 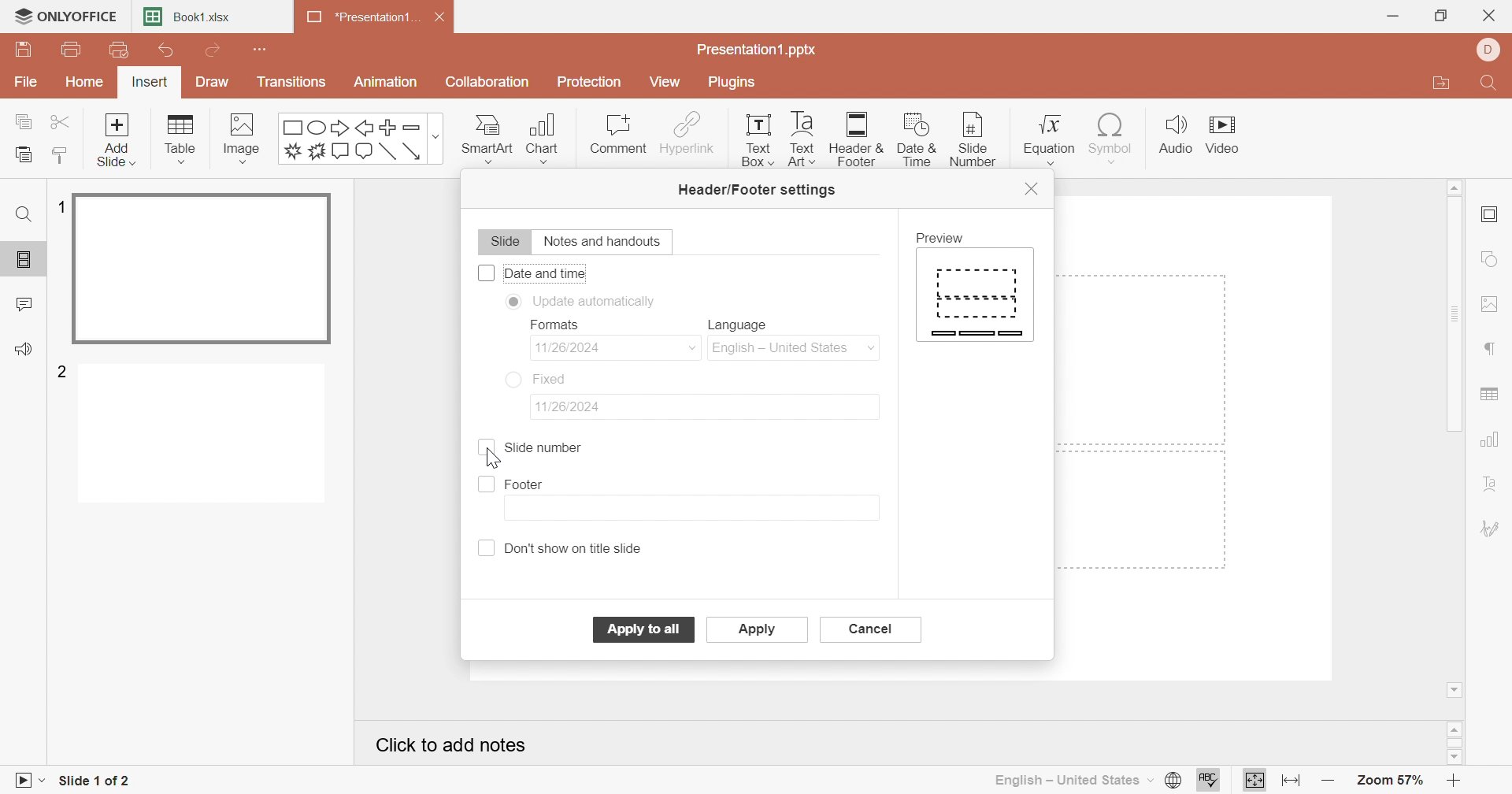 What do you see at coordinates (22, 214) in the screenshot?
I see `Find` at bounding box center [22, 214].